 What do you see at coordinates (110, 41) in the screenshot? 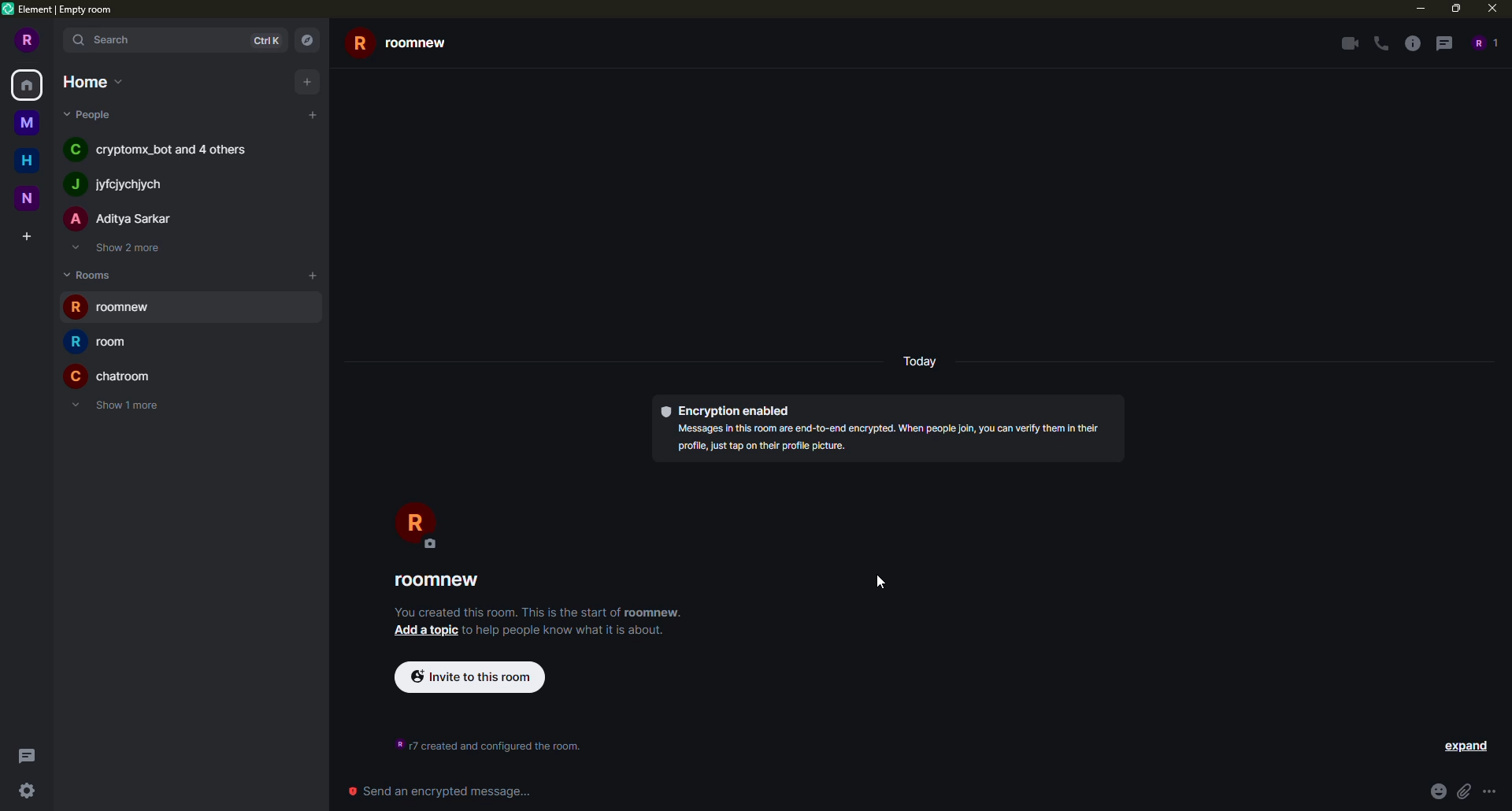
I see `search` at bounding box center [110, 41].